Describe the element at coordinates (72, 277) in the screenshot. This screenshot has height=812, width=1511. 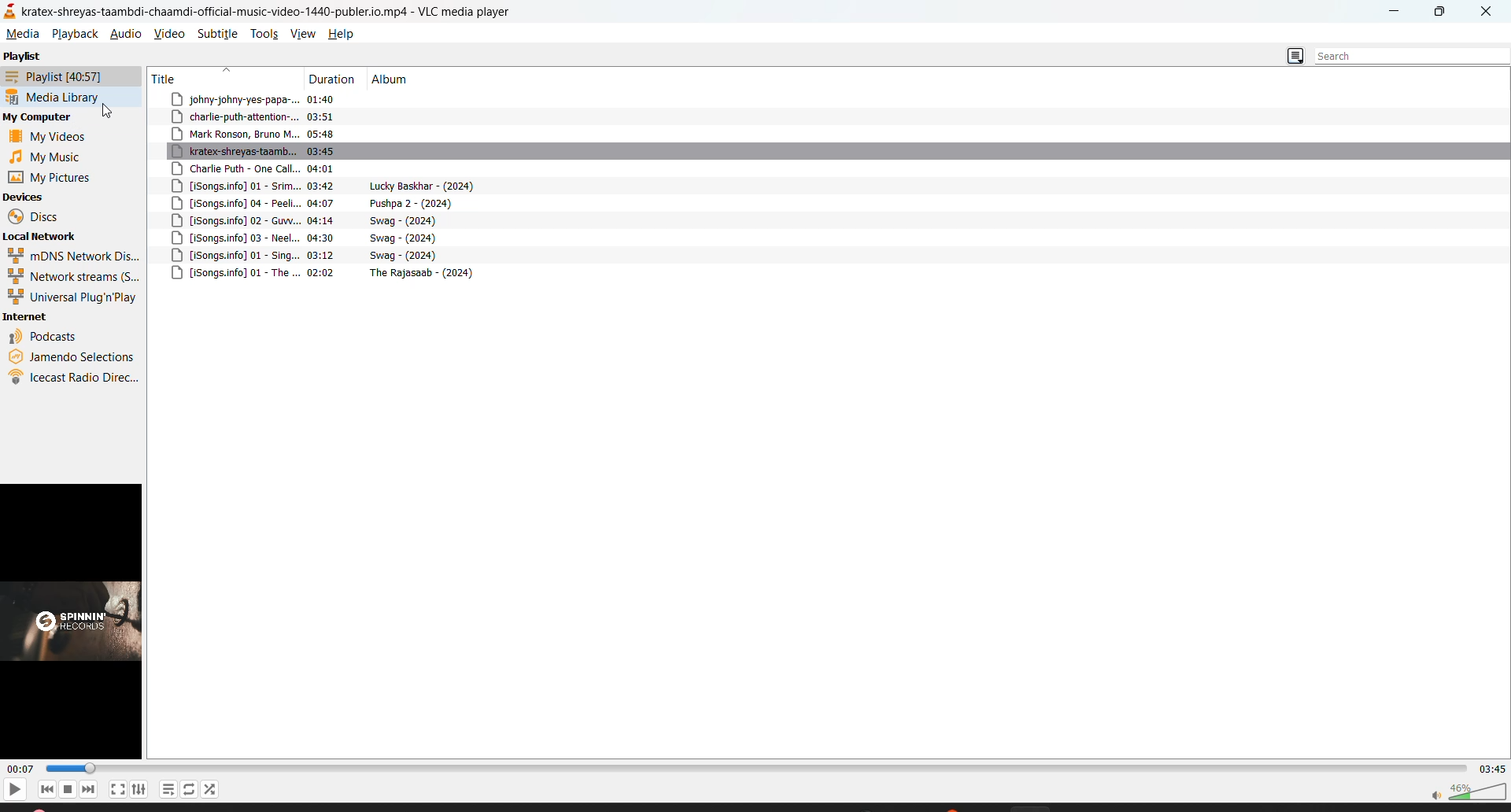
I see `network streams` at that location.